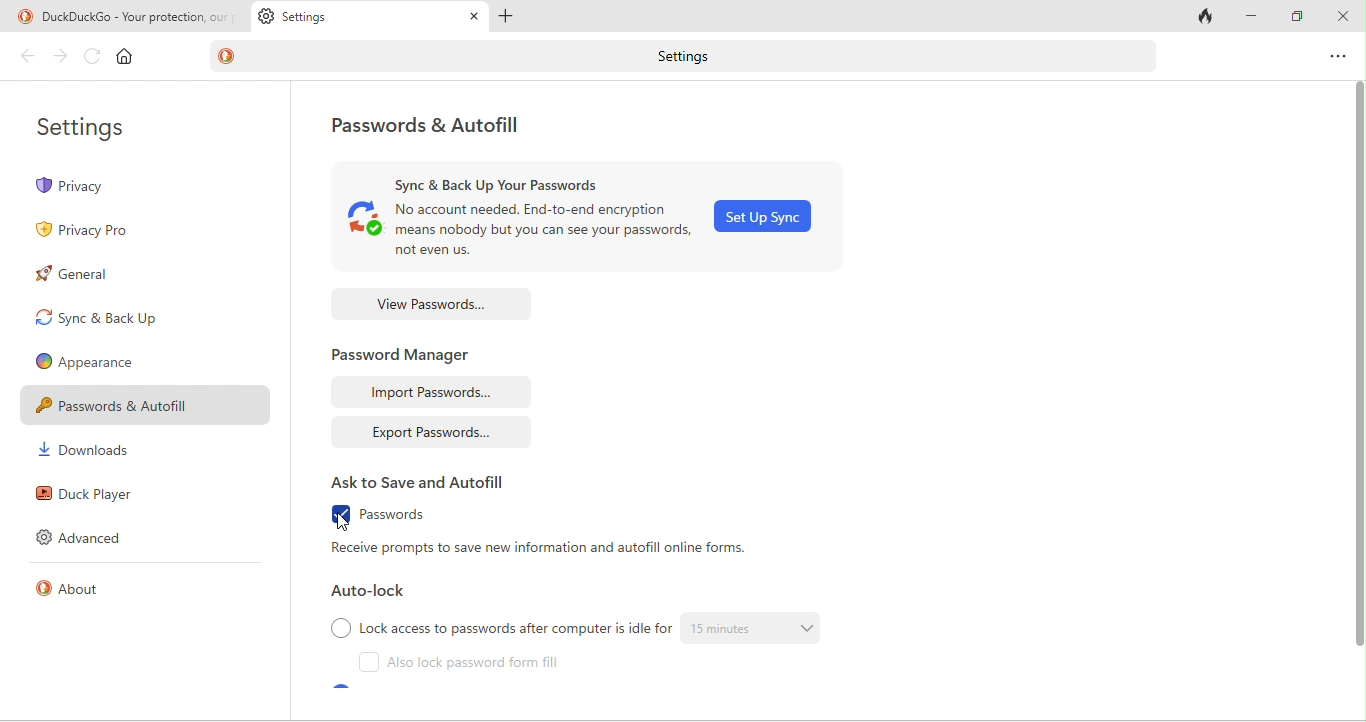  I want to click on add tab, so click(509, 17).